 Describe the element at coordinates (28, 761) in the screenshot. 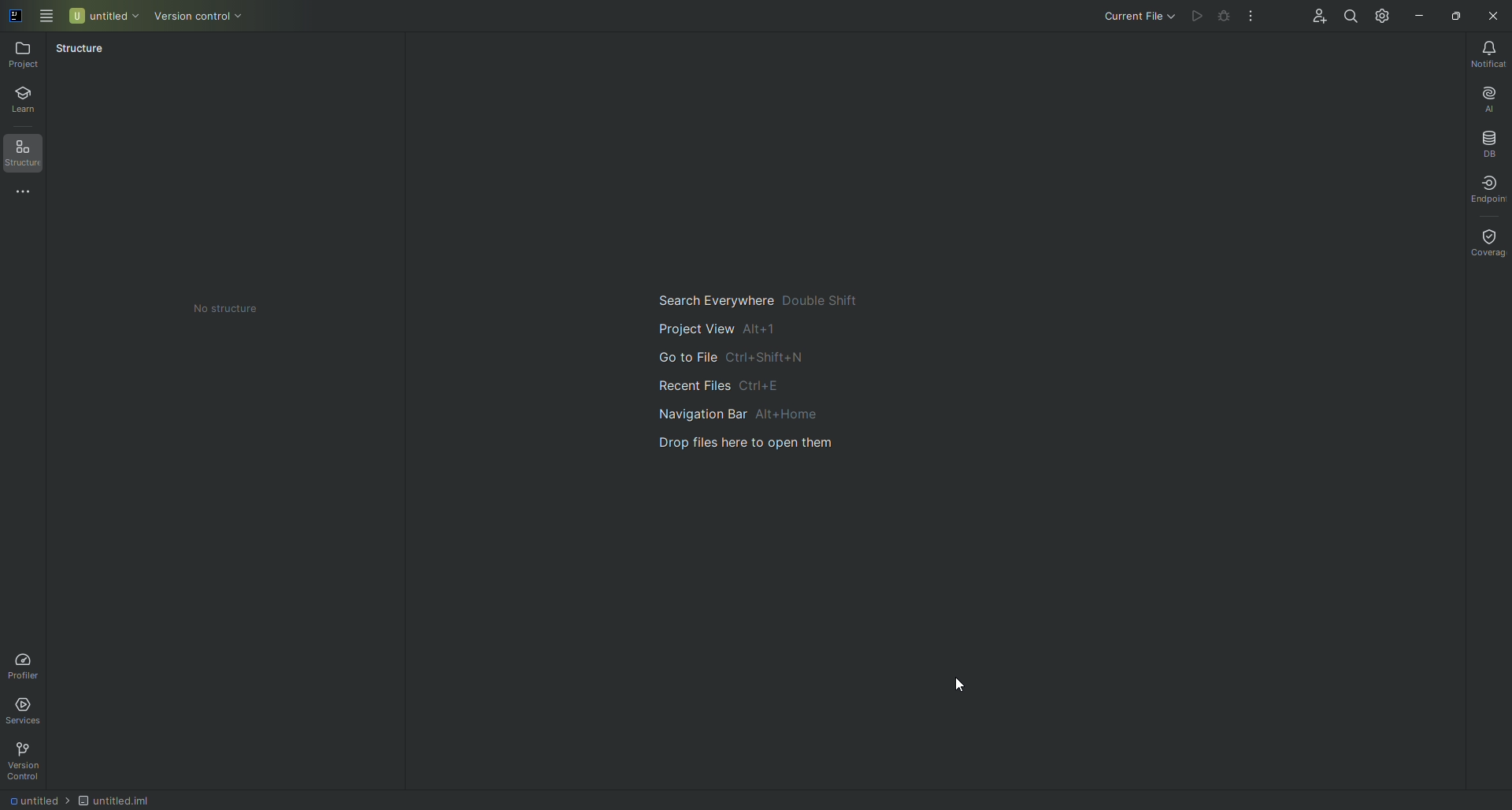

I see `Version Control` at that location.